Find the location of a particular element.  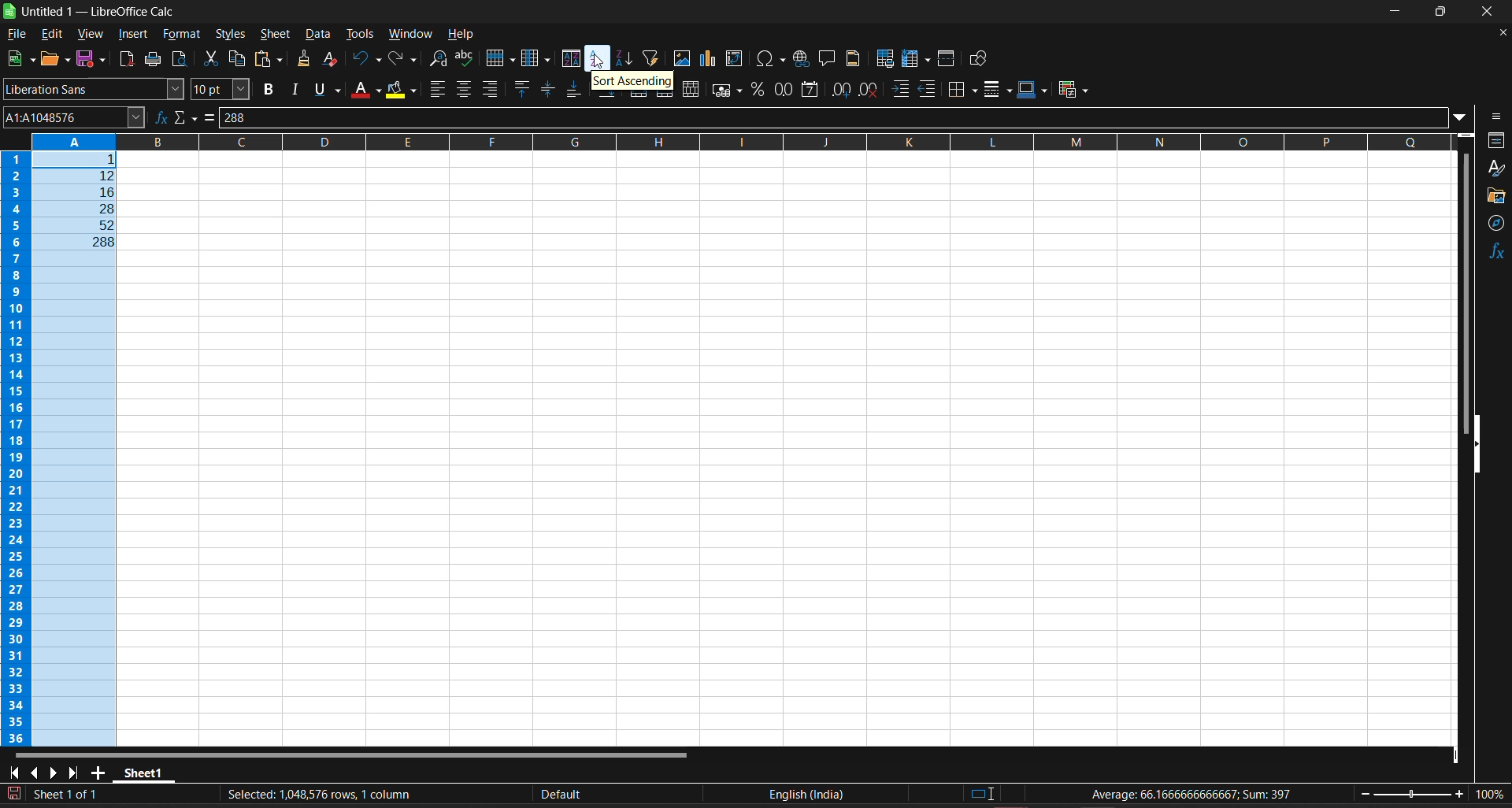

bold is located at coordinates (267, 90).